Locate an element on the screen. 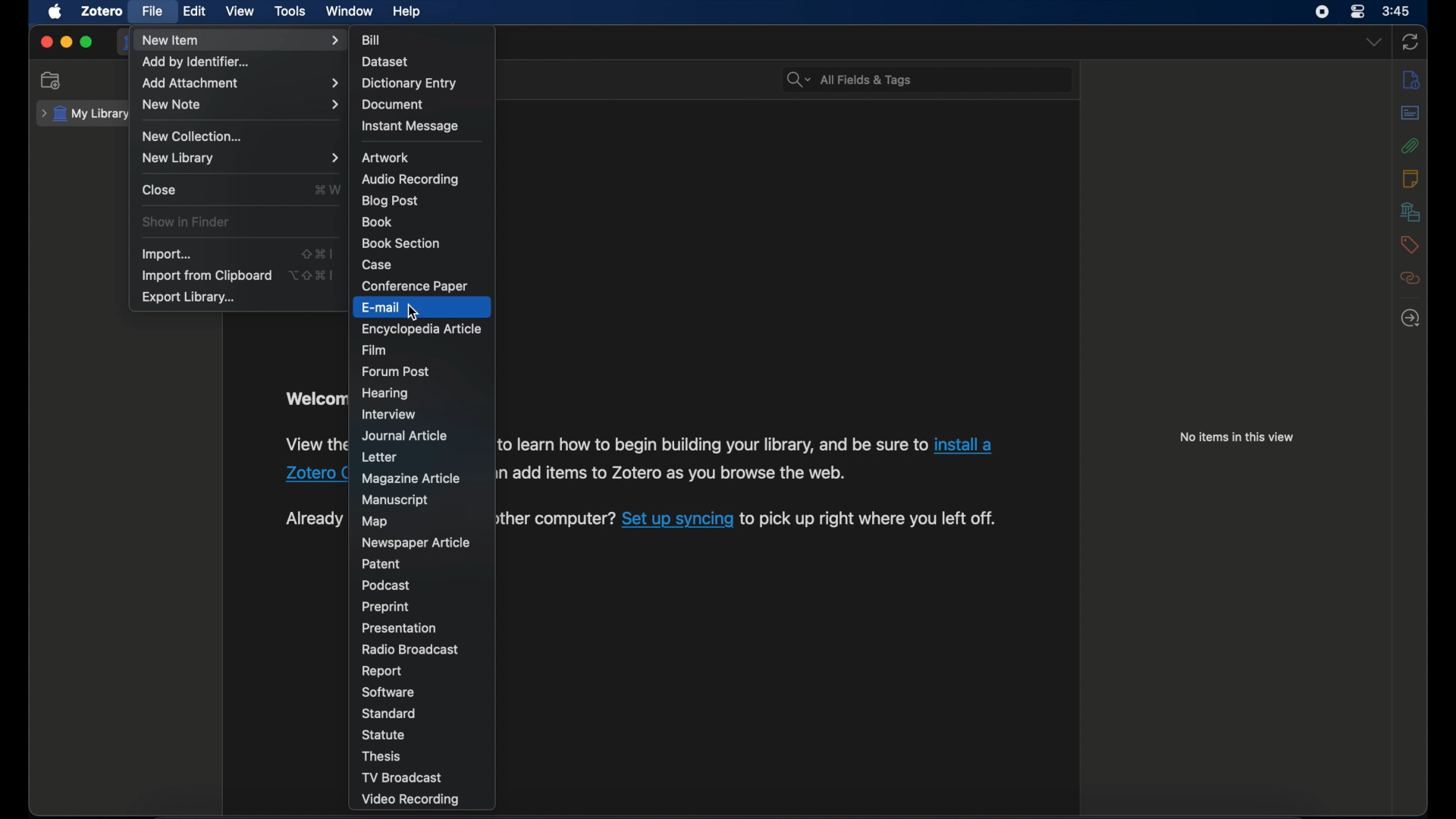 The image size is (1456, 819). screen recorder is located at coordinates (1321, 12).